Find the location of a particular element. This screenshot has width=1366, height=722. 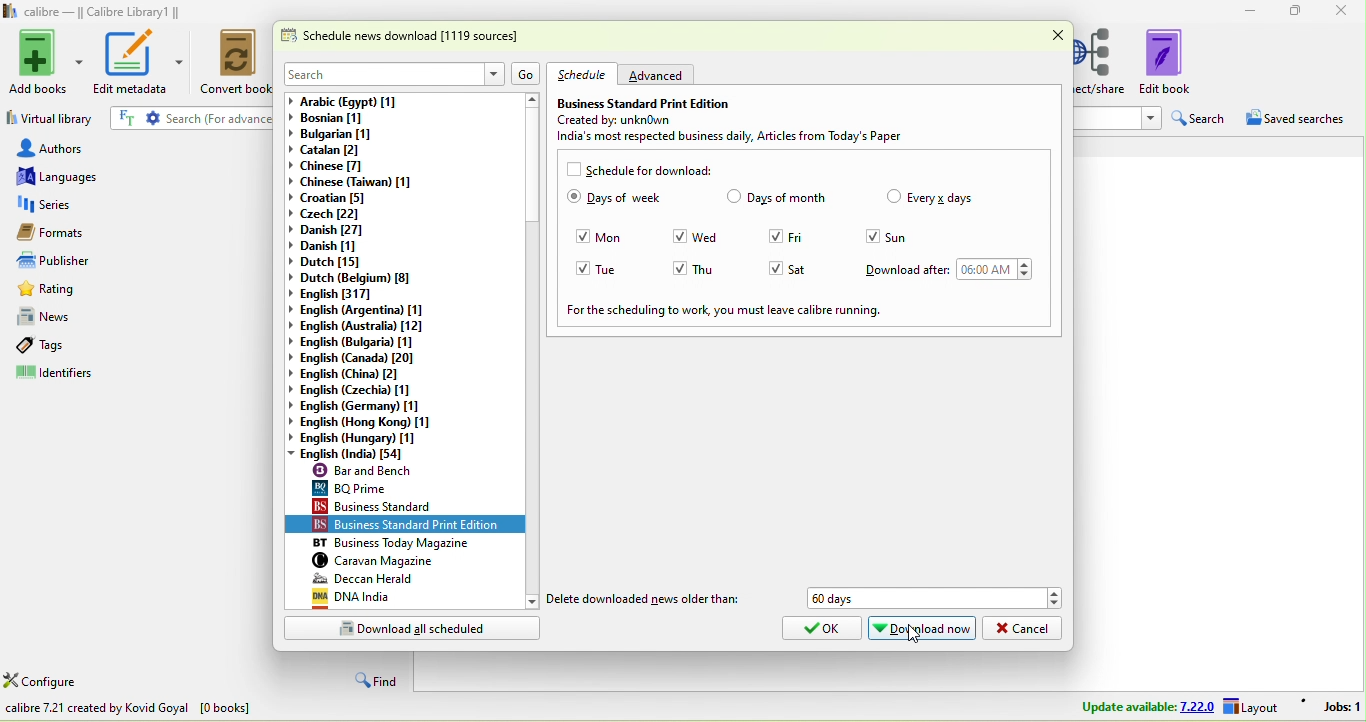

every days is located at coordinates (940, 198).